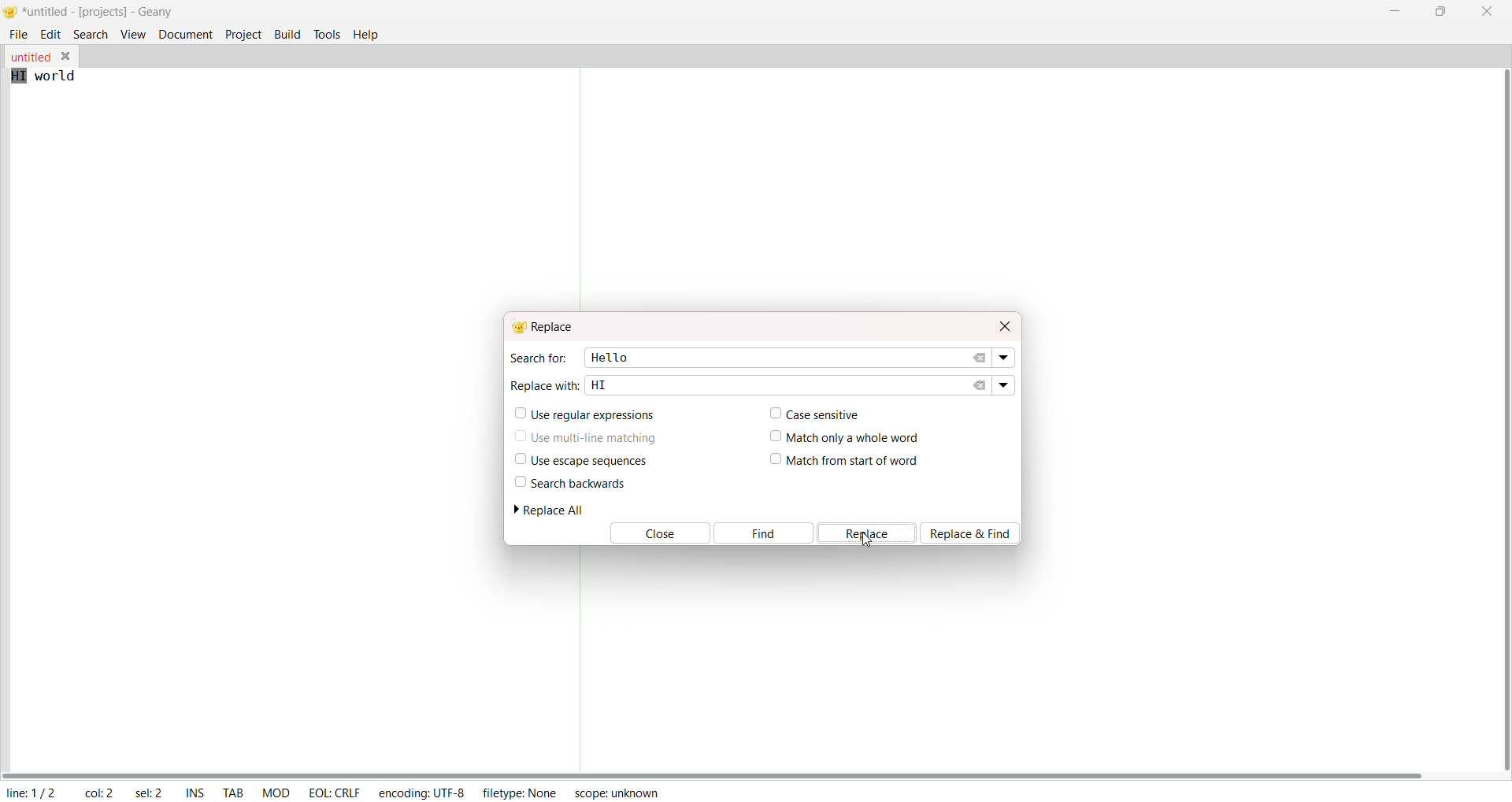  What do you see at coordinates (555, 510) in the screenshot?
I see `replace all` at bounding box center [555, 510].